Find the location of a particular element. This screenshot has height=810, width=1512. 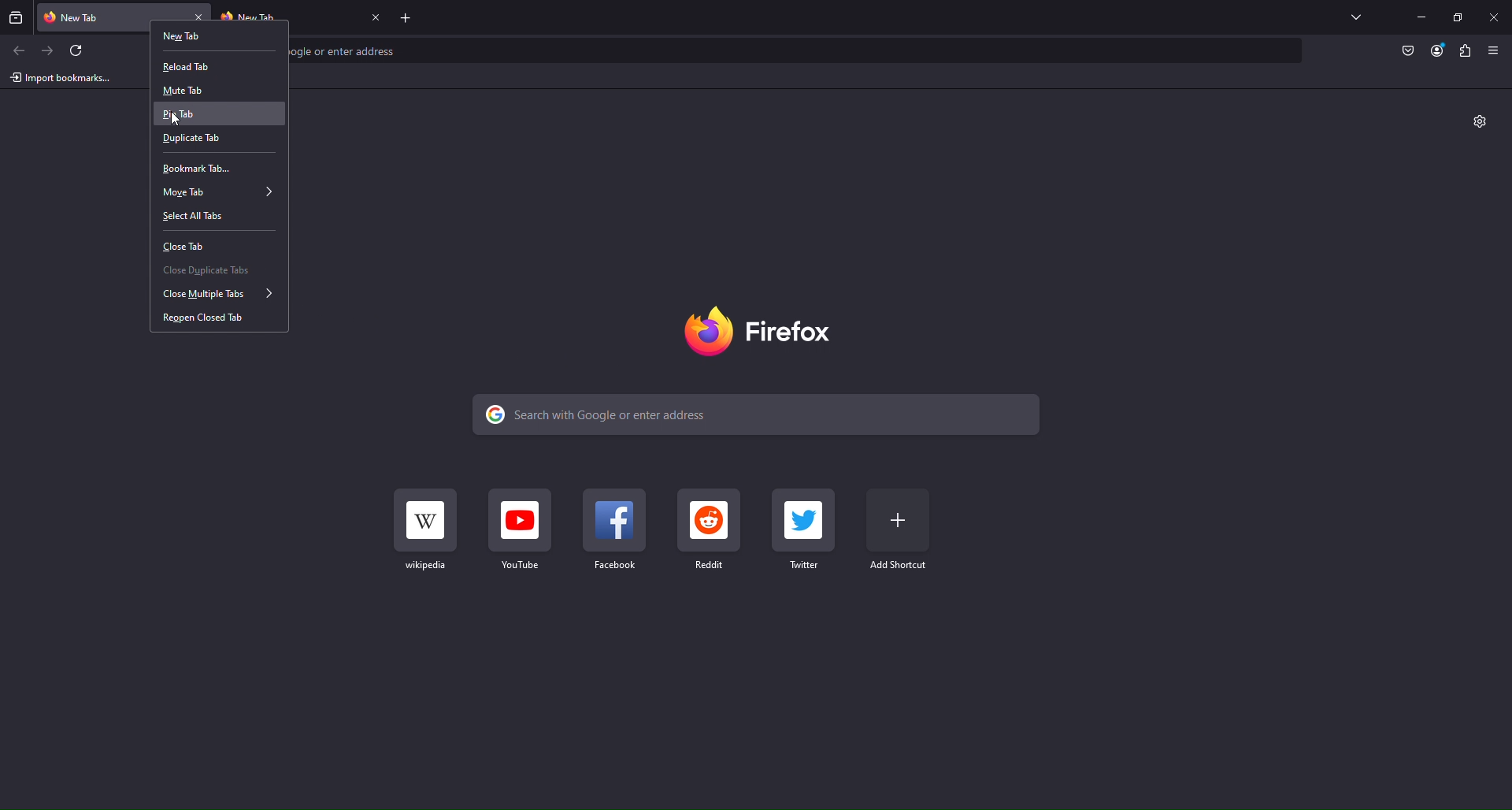

Search Bar is located at coordinates (762, 414).